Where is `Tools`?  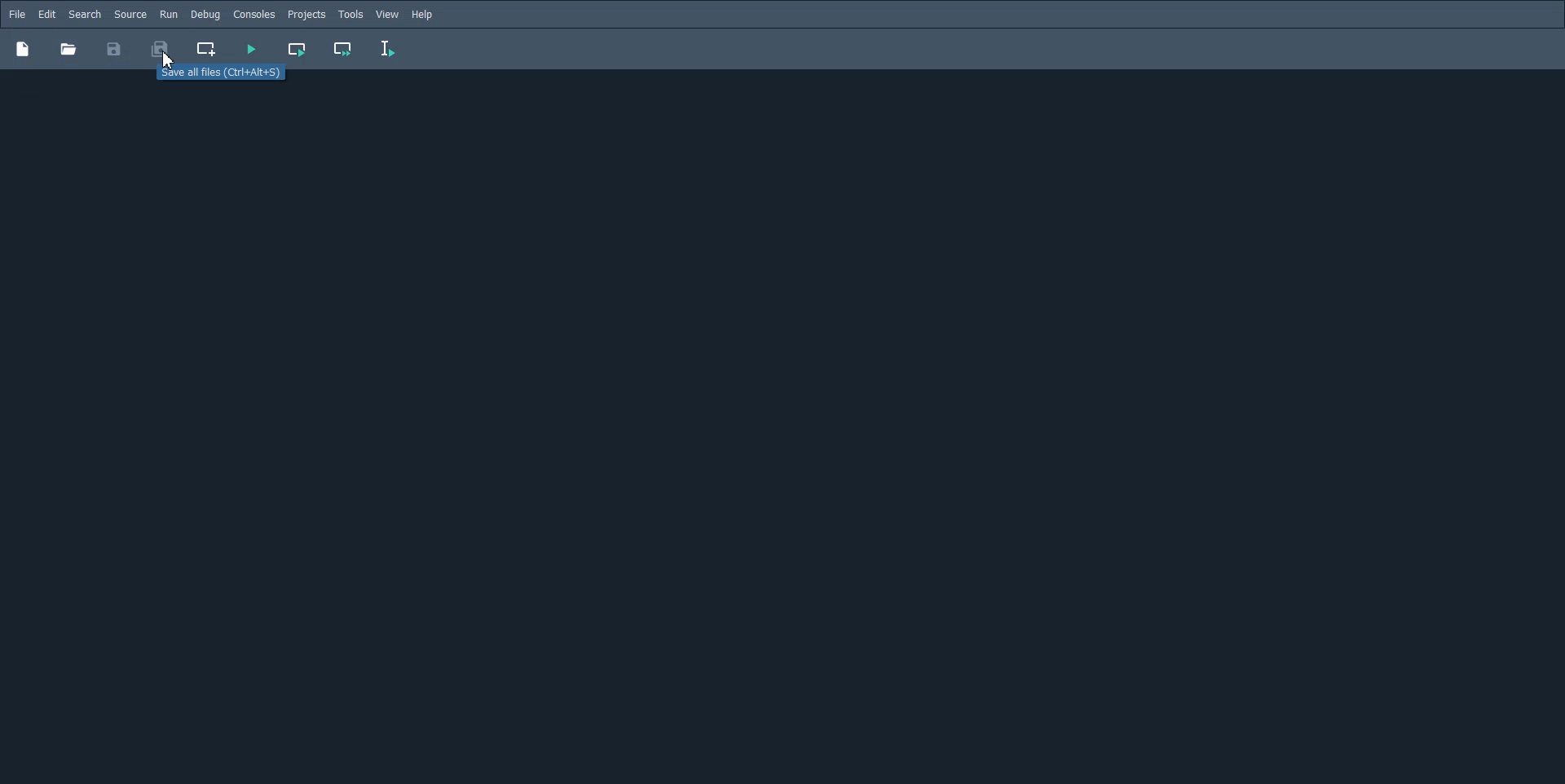 Tools is located at coordinates (350, 15).